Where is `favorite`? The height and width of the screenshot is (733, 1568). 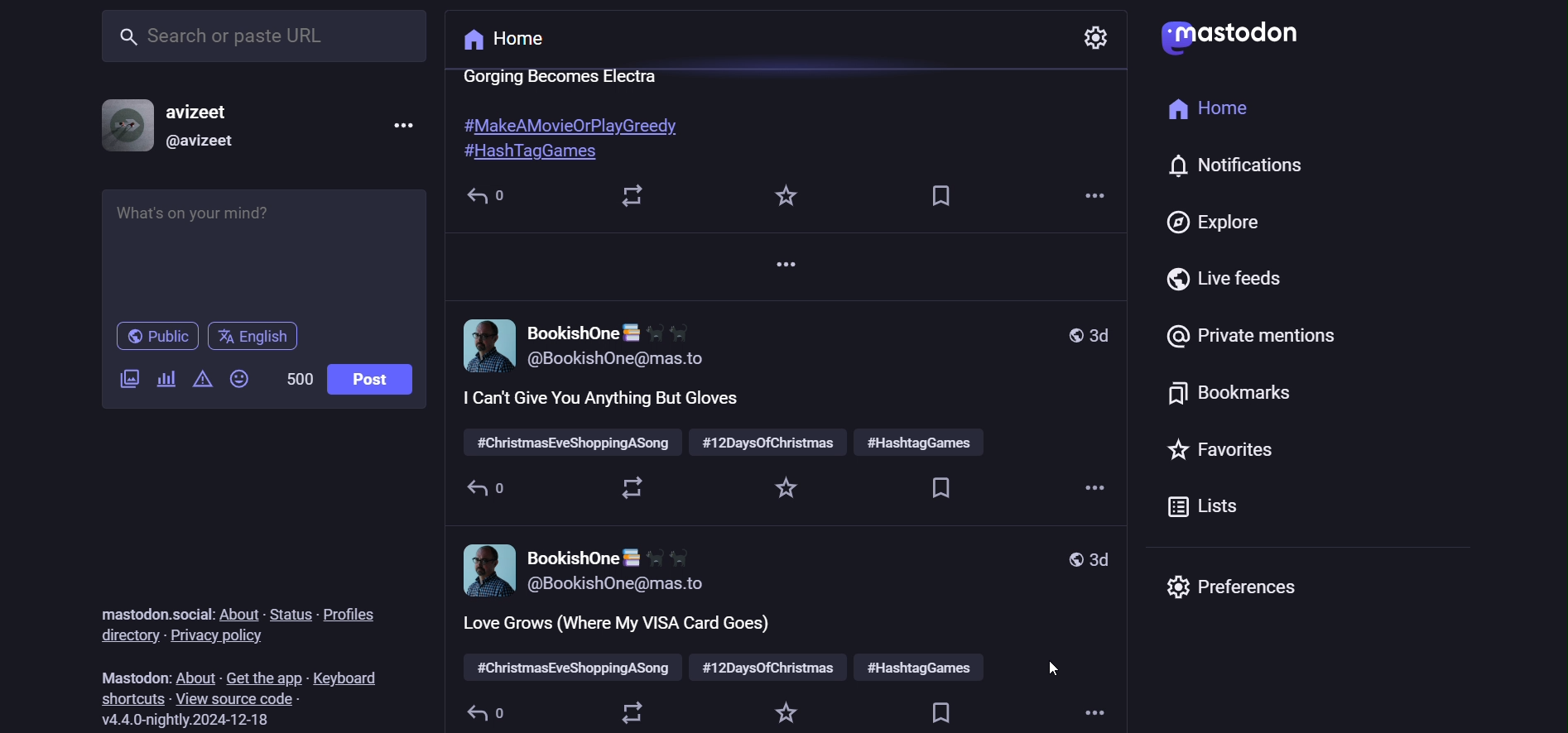
favorite is located at coordinates (781, 490).